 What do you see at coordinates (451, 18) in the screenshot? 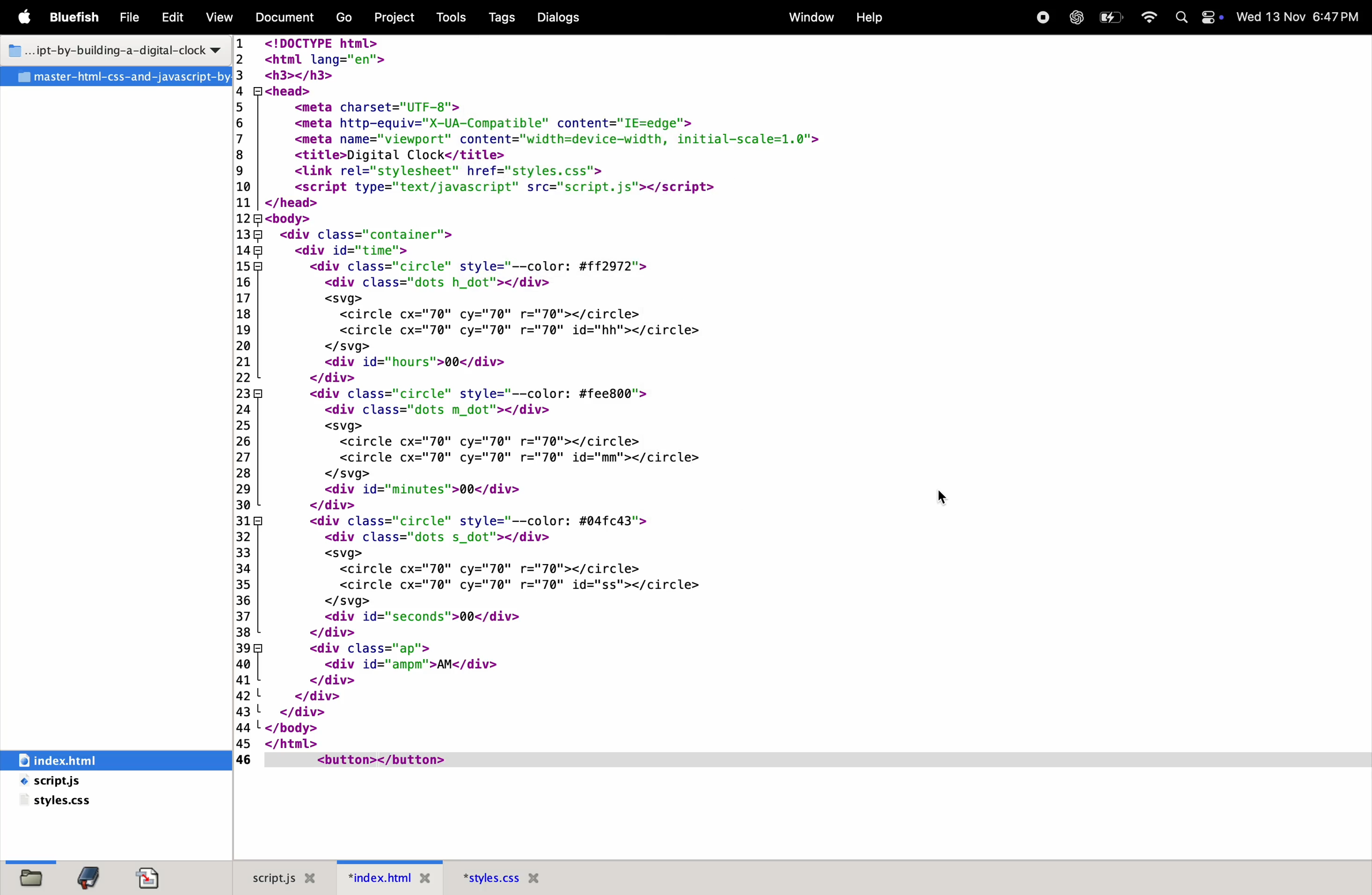
I see `Tools` at bounding box center [451, 18].